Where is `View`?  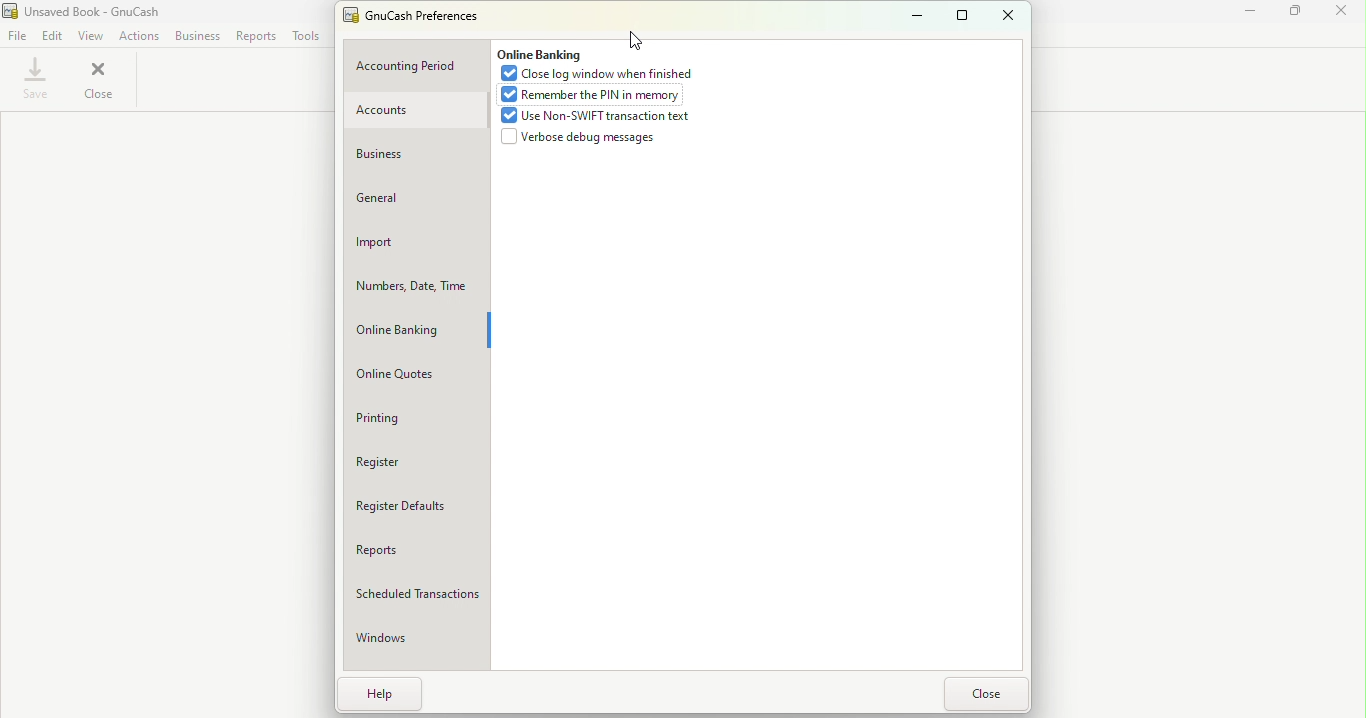
View is located at coordinates (89, 35).